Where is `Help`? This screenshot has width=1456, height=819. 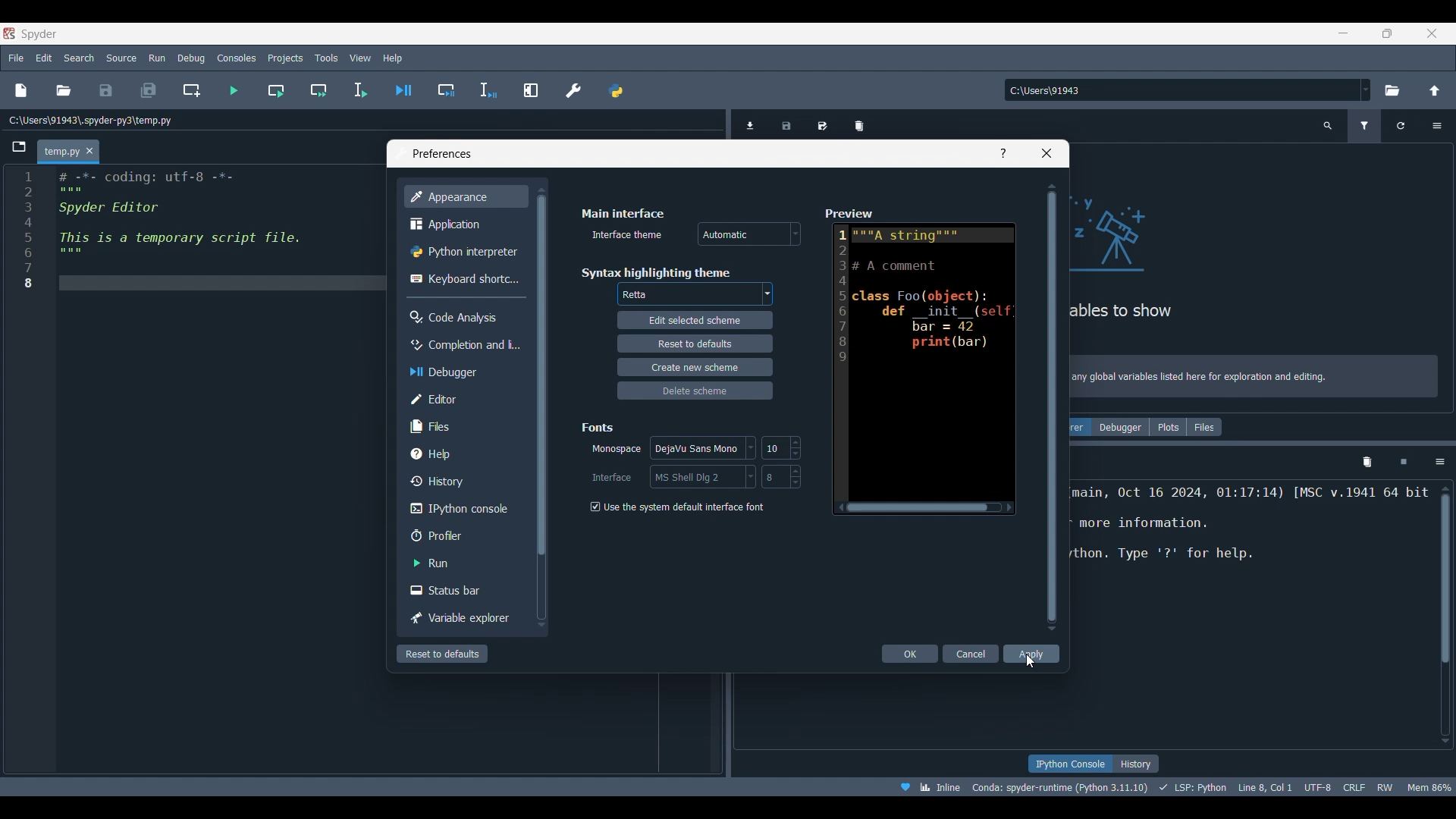
Help is located at coordinates (1003, 153).